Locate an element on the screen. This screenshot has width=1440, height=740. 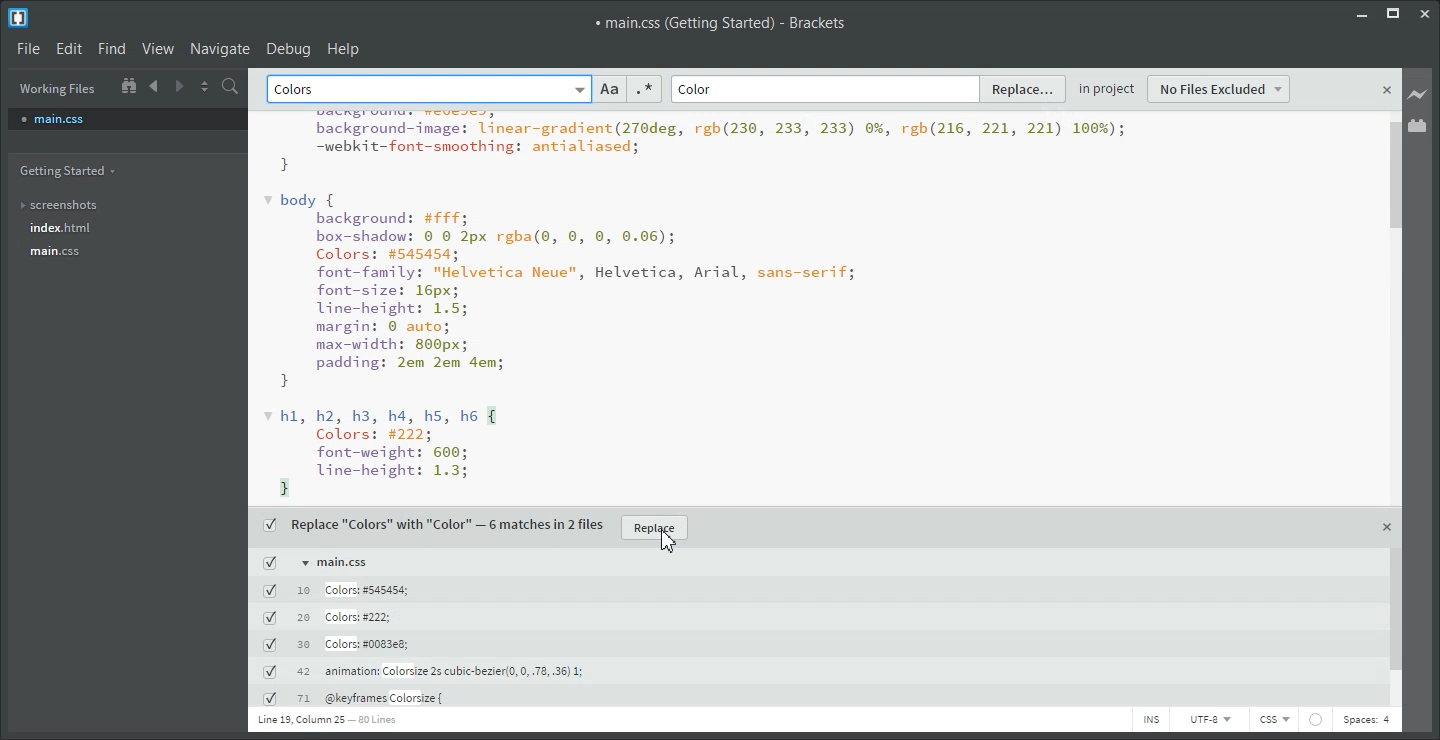
Live Preview is located at coordinates (1418, 95).